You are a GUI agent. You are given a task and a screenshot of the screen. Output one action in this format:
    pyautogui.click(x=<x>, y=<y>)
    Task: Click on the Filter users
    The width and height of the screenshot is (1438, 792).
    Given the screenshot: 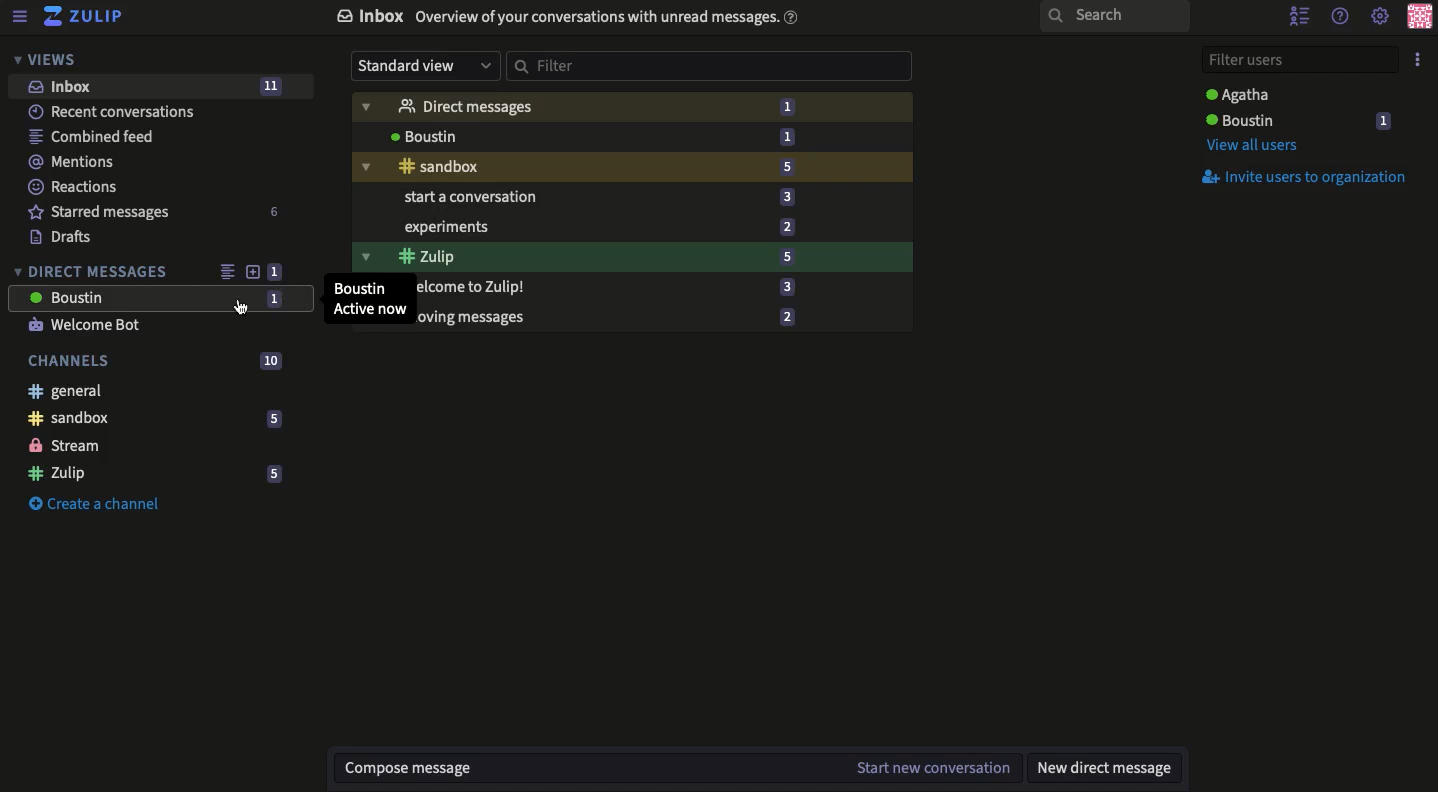 What is the action you would take?
    pyautogui.click(x=1302, y=61)
    